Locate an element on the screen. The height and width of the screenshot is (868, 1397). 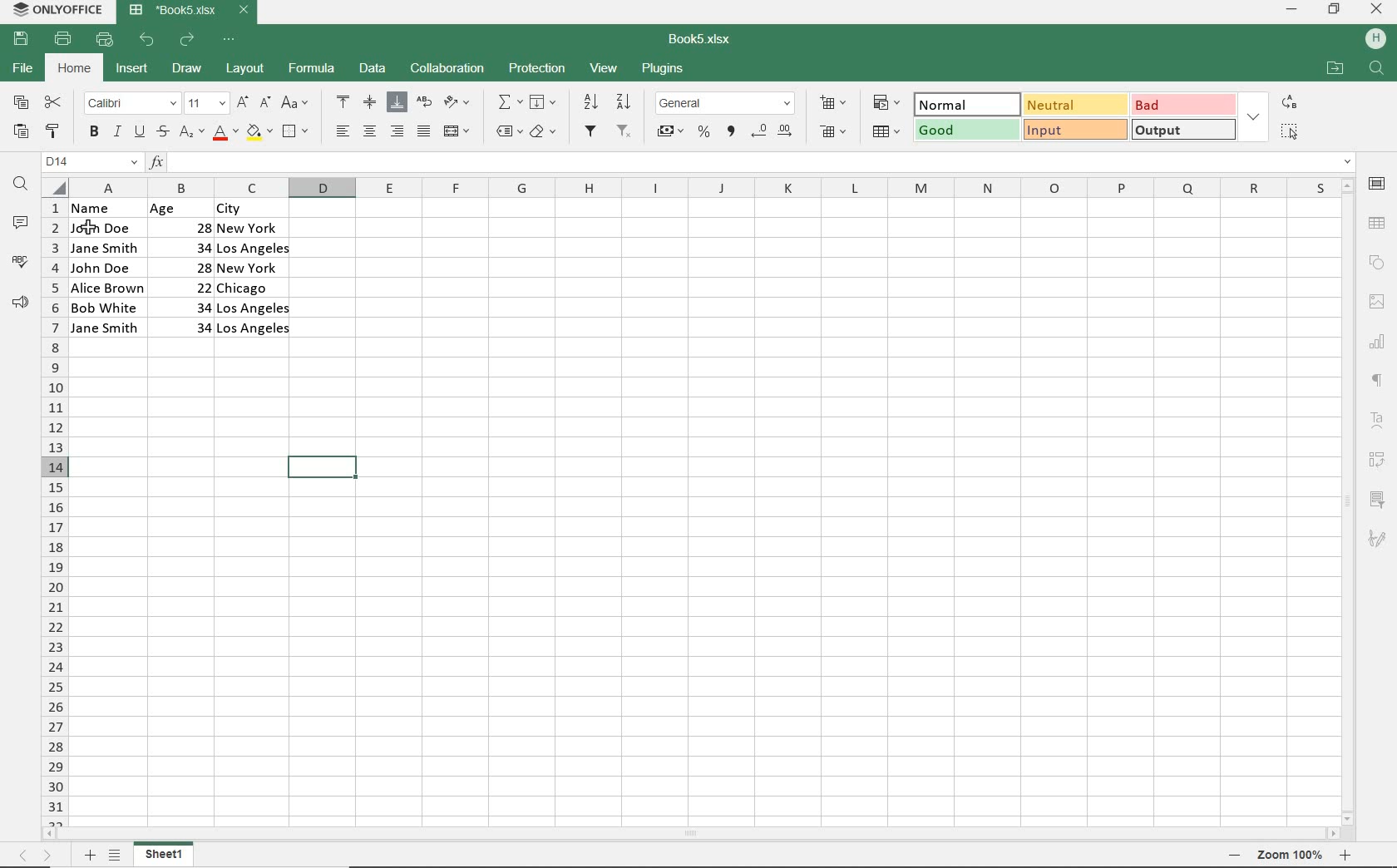
CHART is located at coordinates (1378, 341).